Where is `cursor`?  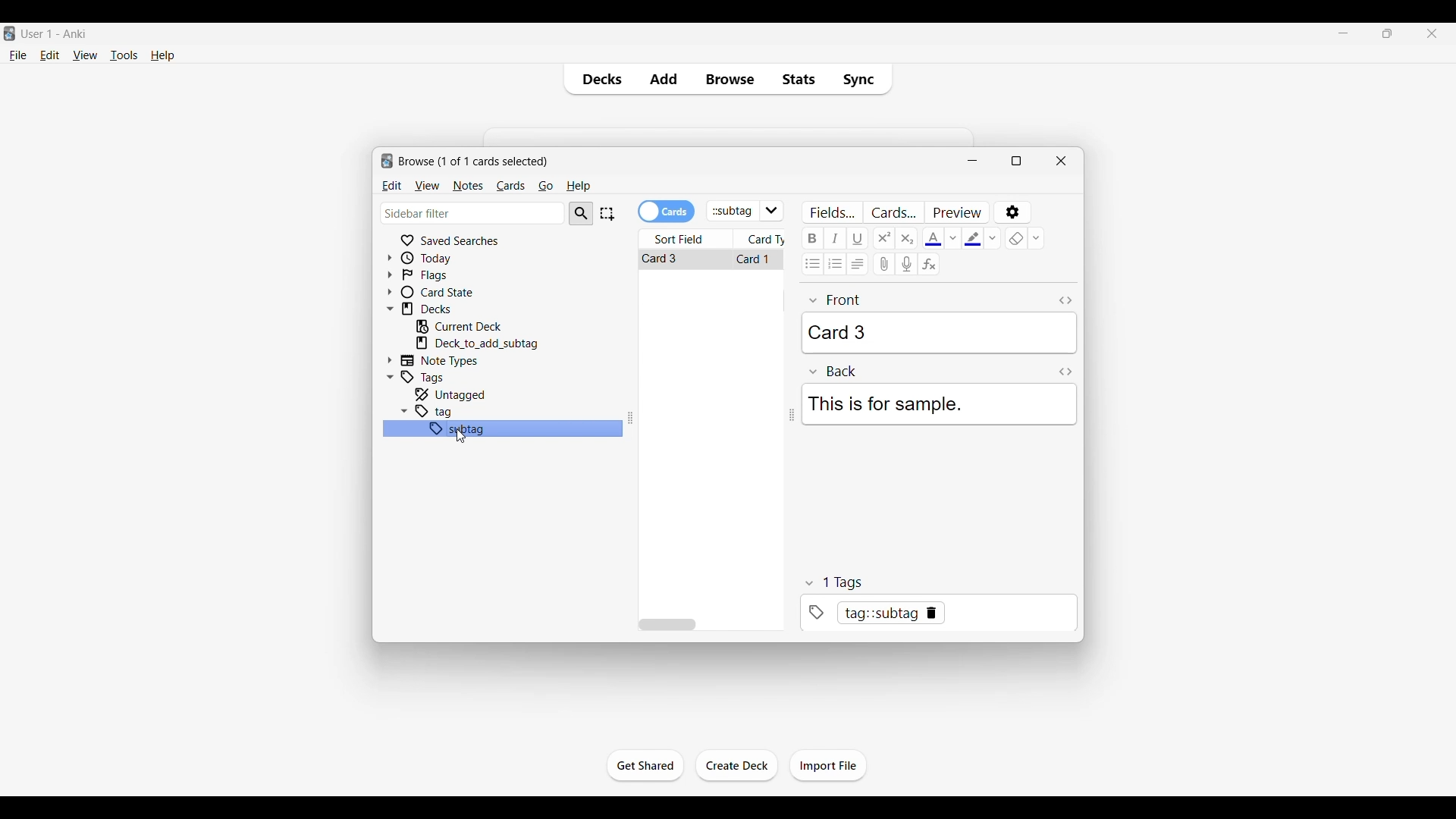 cursor is located at coordinates (458, 436).